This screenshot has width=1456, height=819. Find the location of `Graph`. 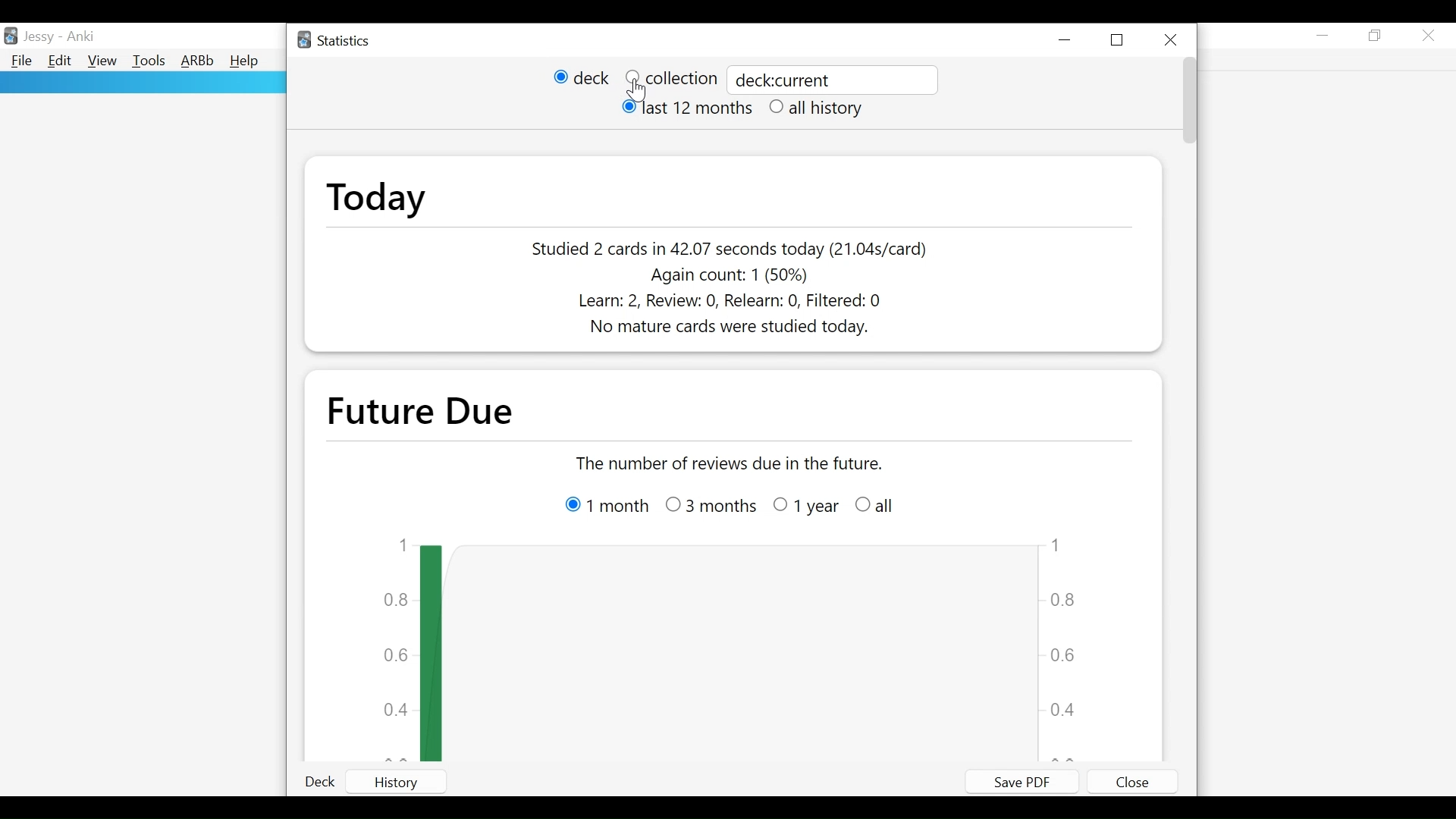

Graph is located at coordinates (748, 648).